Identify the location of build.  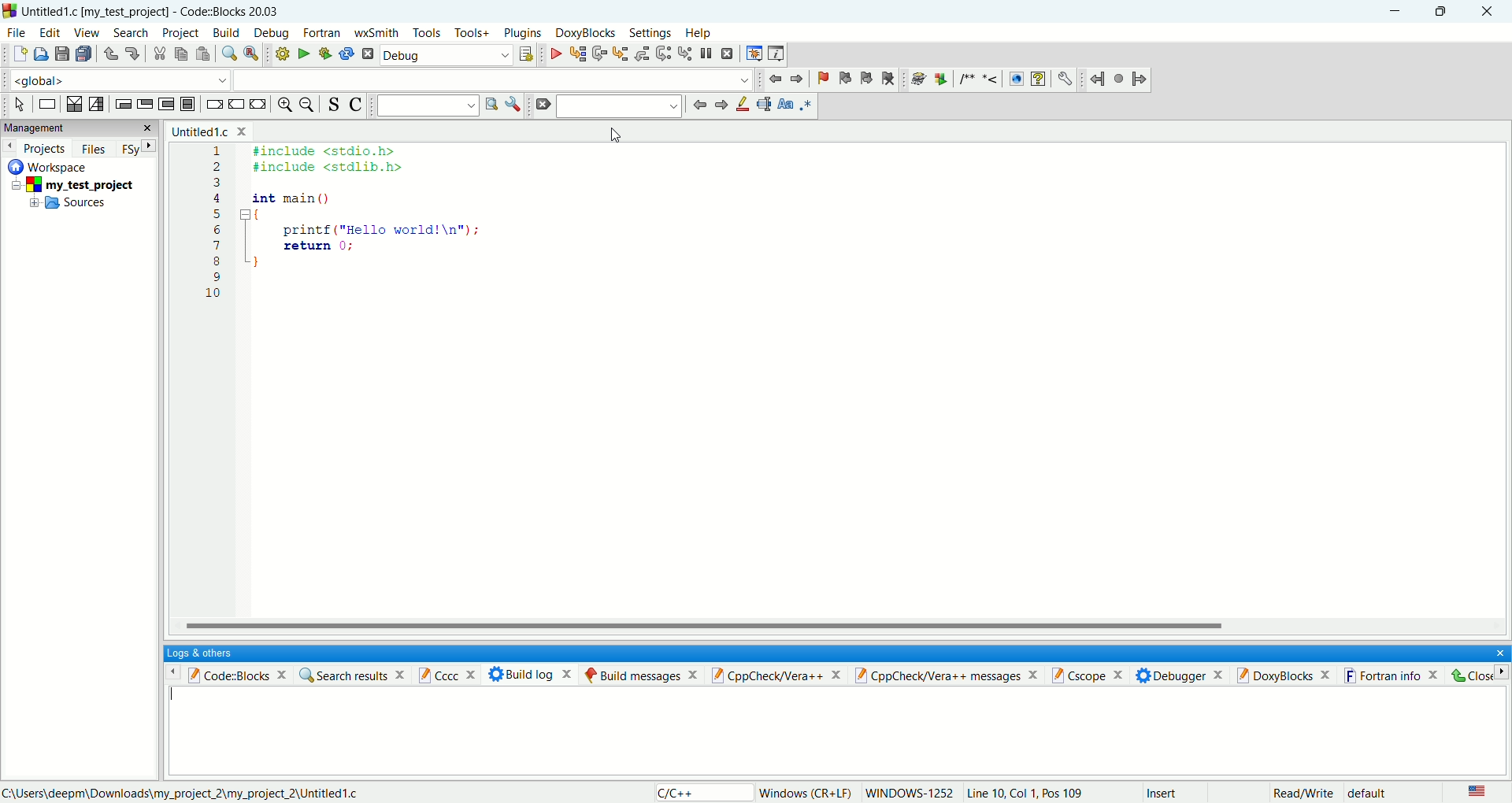
(280, 54).